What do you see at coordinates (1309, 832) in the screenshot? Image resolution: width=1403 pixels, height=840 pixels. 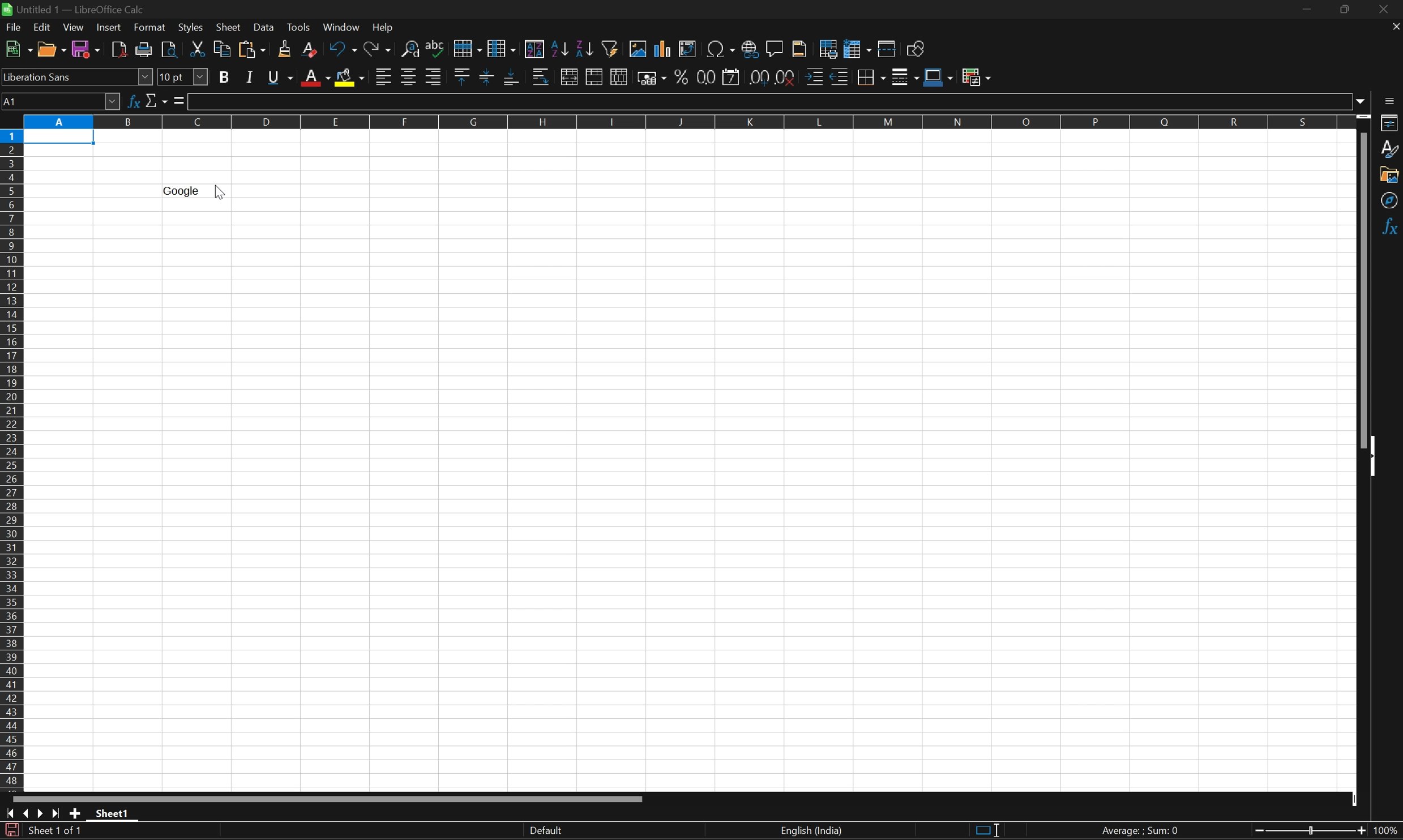 I see `Slider` at bounding box center [1309, 832].